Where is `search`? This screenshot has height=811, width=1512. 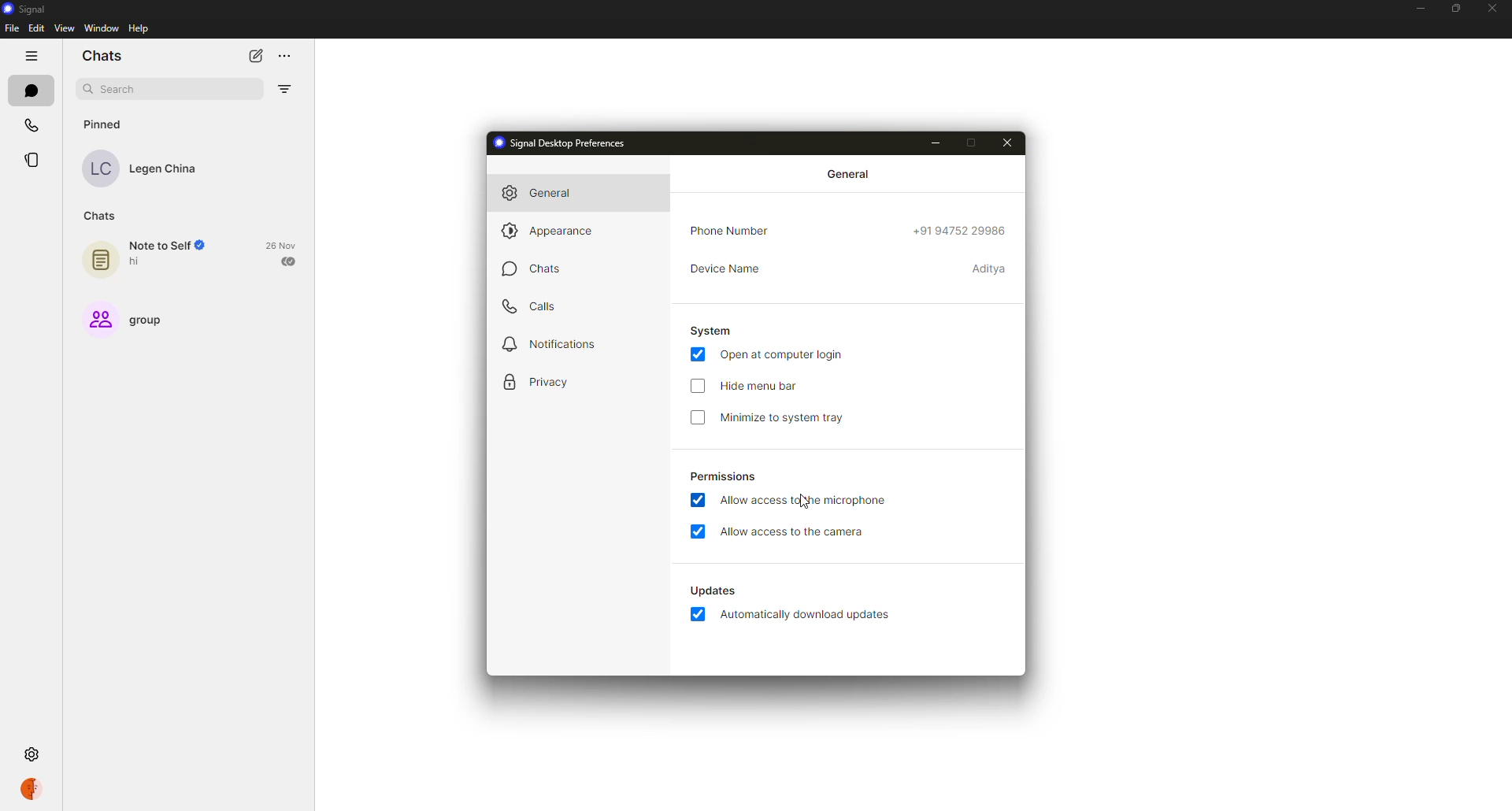
search is located at coordinates (120, 88).